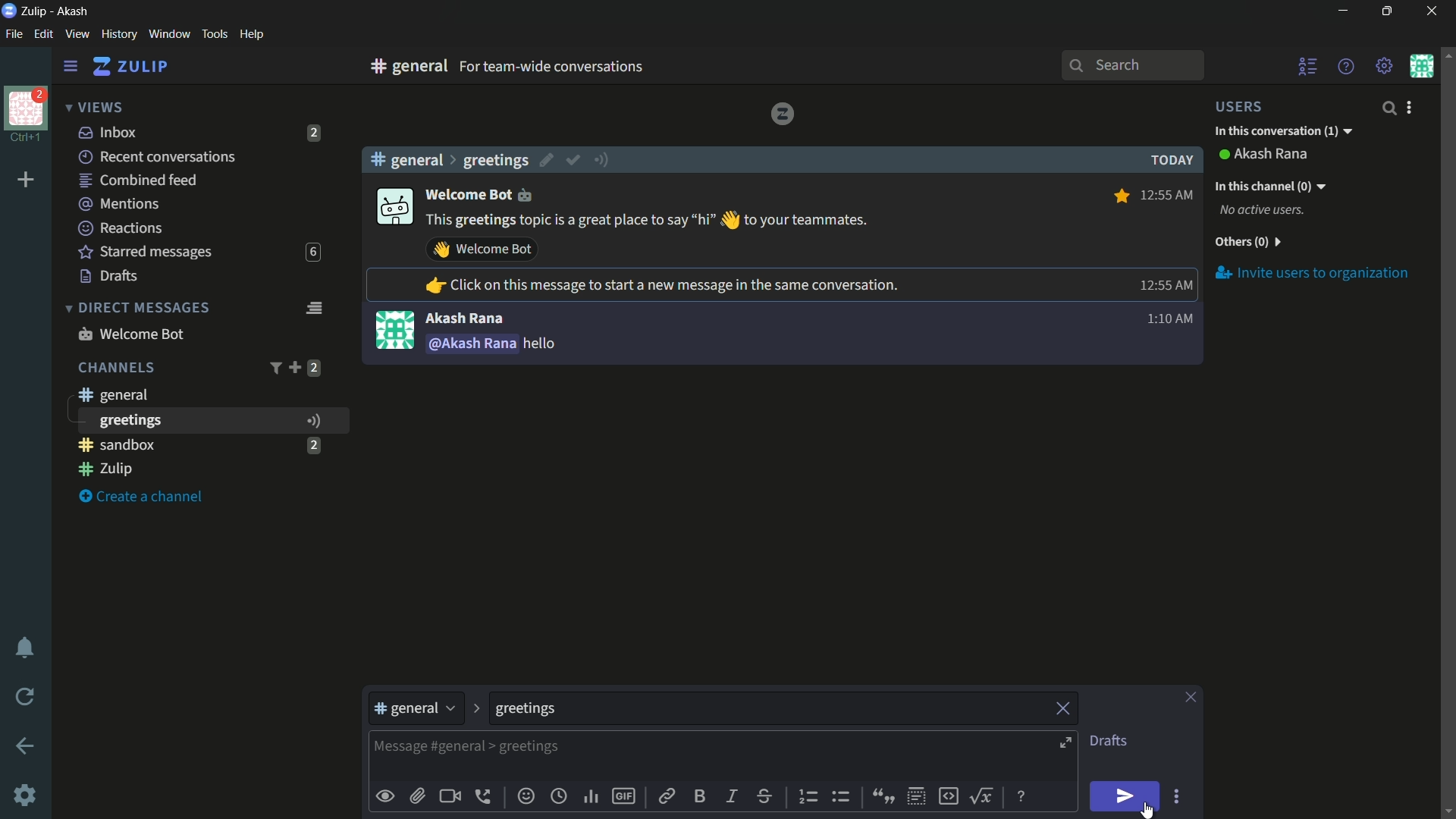  Describe the element at coordinates (111, 394) in the screenshot. I see `general channel` at that location.